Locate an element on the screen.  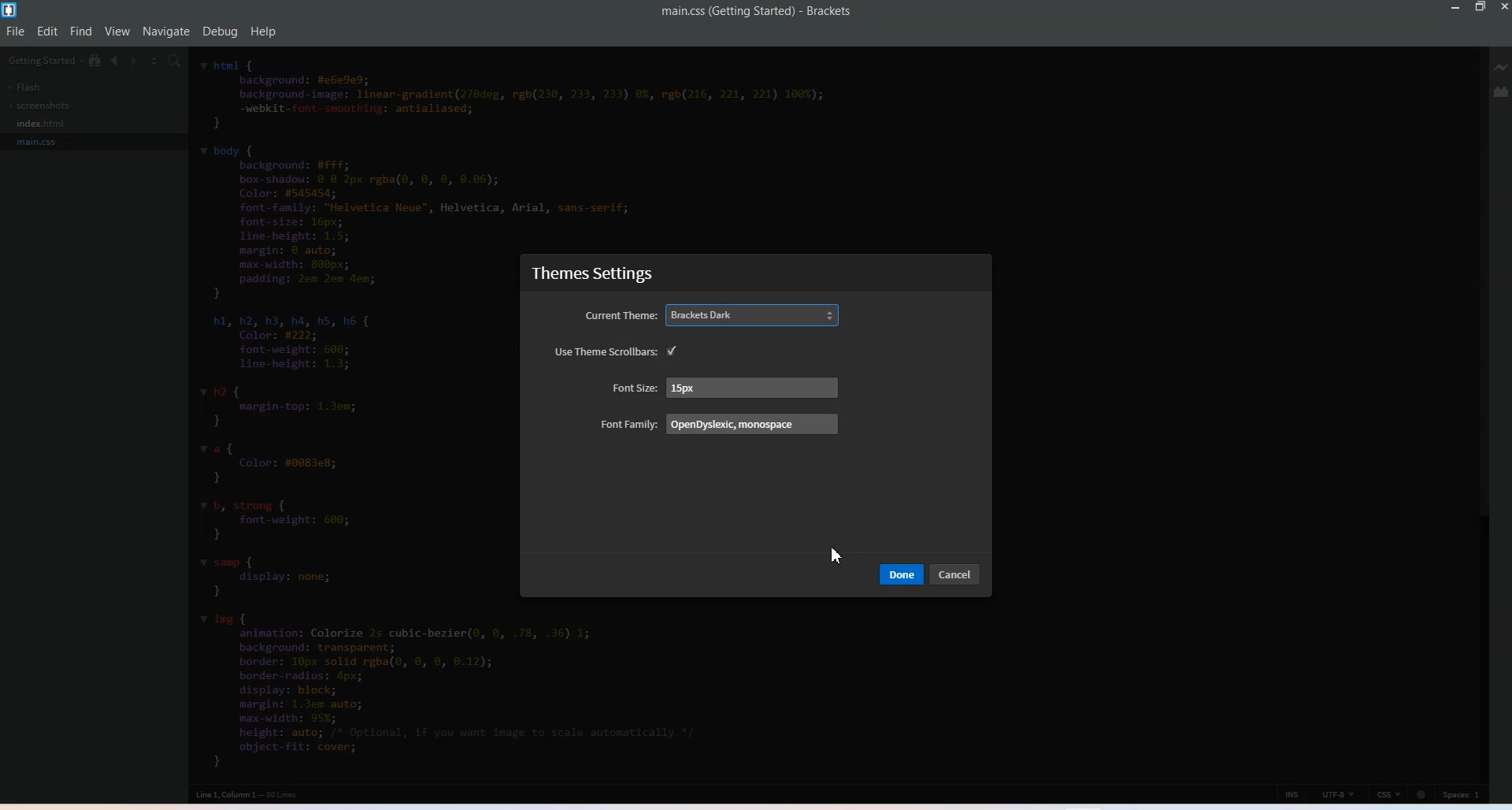
Spaces 1 is located at coordinates (1463, 794).